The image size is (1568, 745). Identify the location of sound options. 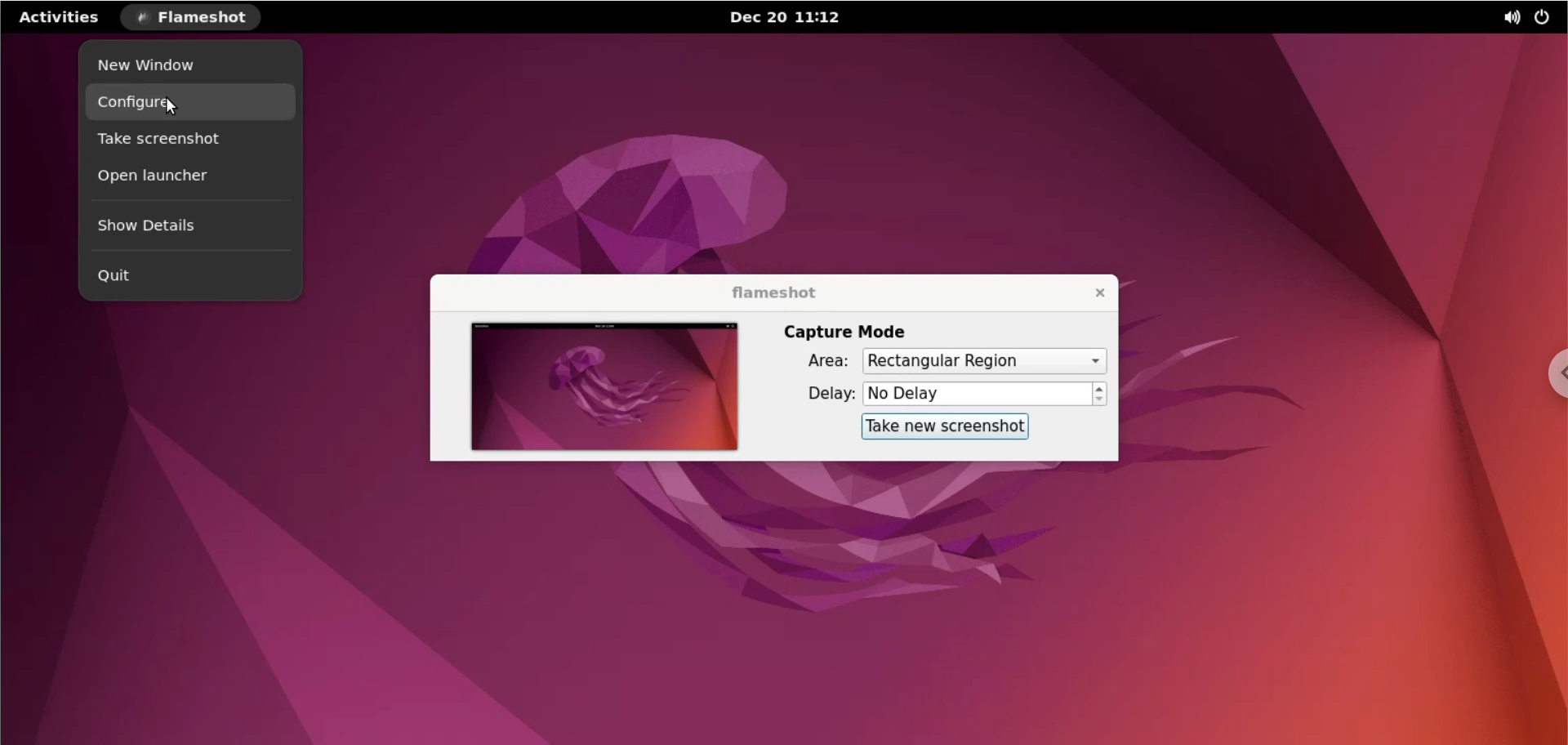
(1505, 17).